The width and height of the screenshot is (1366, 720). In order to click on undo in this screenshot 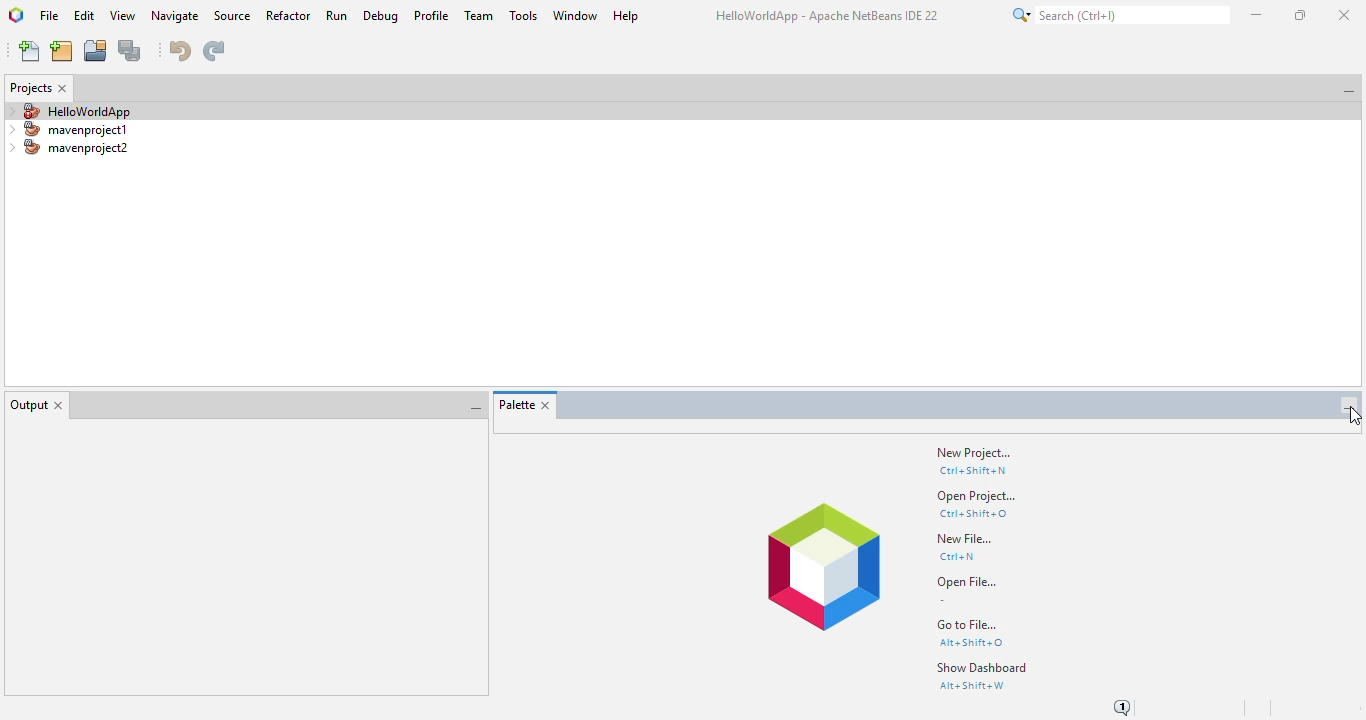, I will do `click(181, 50)`.